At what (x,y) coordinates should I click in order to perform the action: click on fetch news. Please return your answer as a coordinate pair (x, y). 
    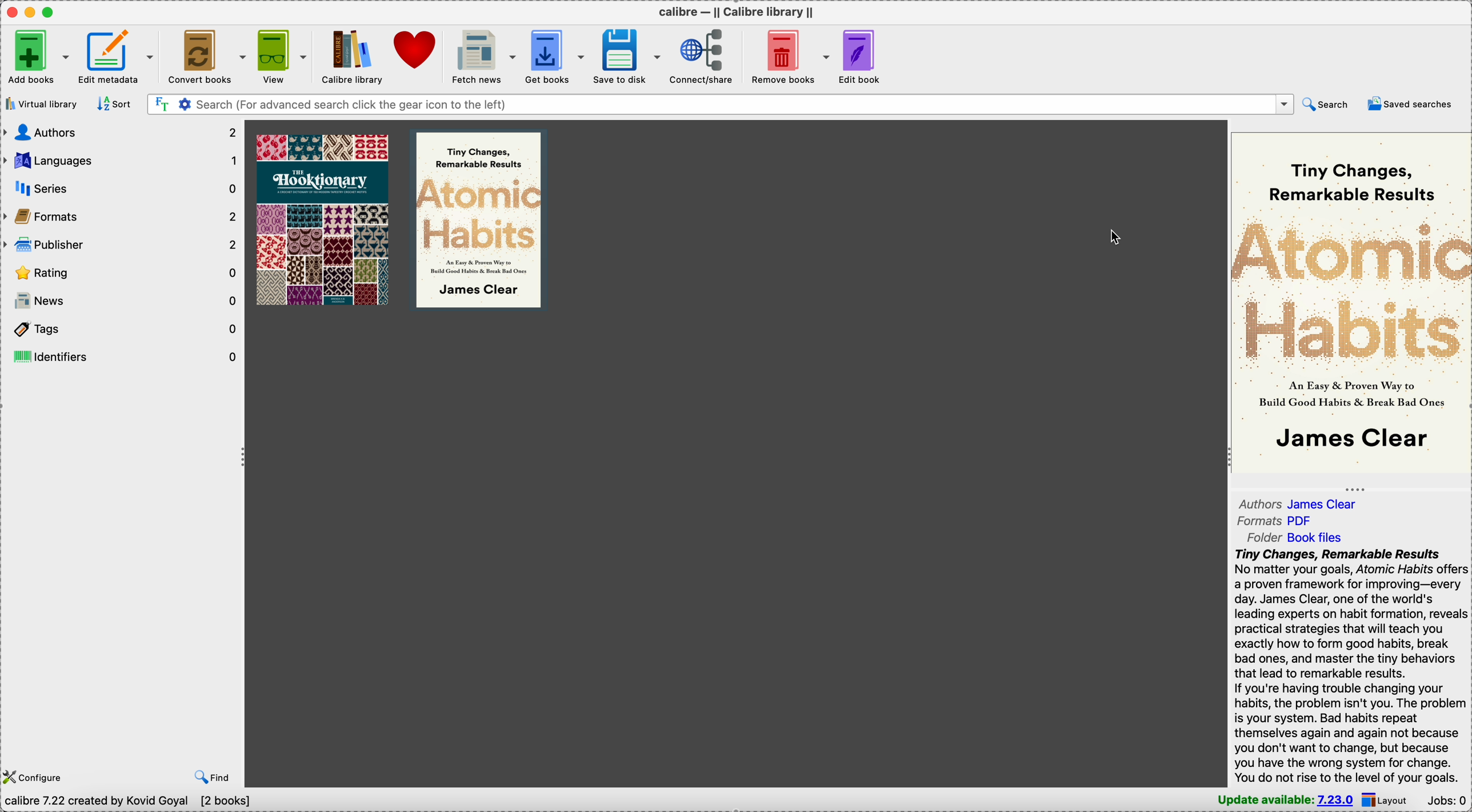
    Looking at the image, I should click on (483, 56).